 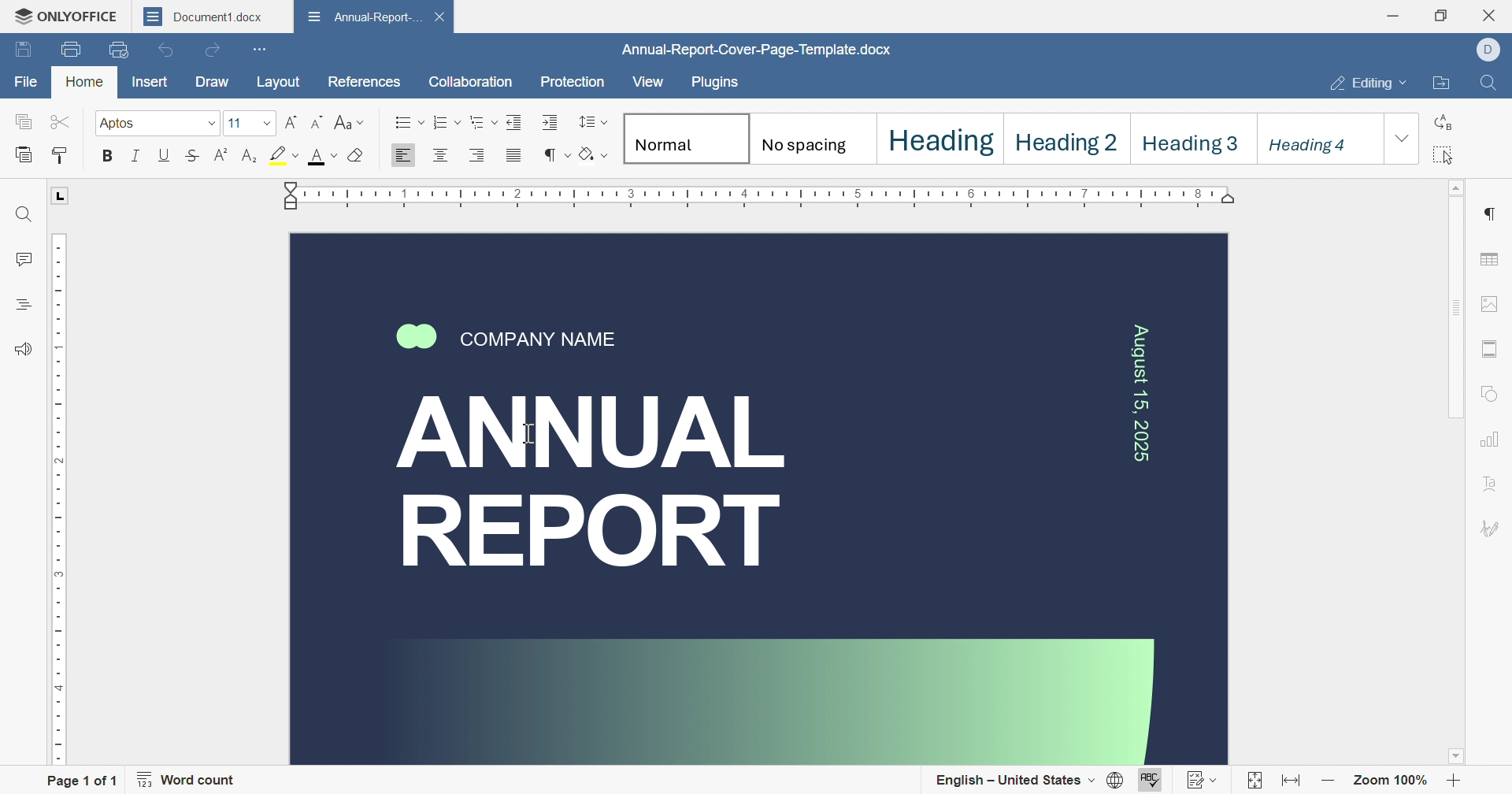 What do you see at coordinates (61, 157) in the screenshot?
I see `copy style` at bounding box center [61, 157].